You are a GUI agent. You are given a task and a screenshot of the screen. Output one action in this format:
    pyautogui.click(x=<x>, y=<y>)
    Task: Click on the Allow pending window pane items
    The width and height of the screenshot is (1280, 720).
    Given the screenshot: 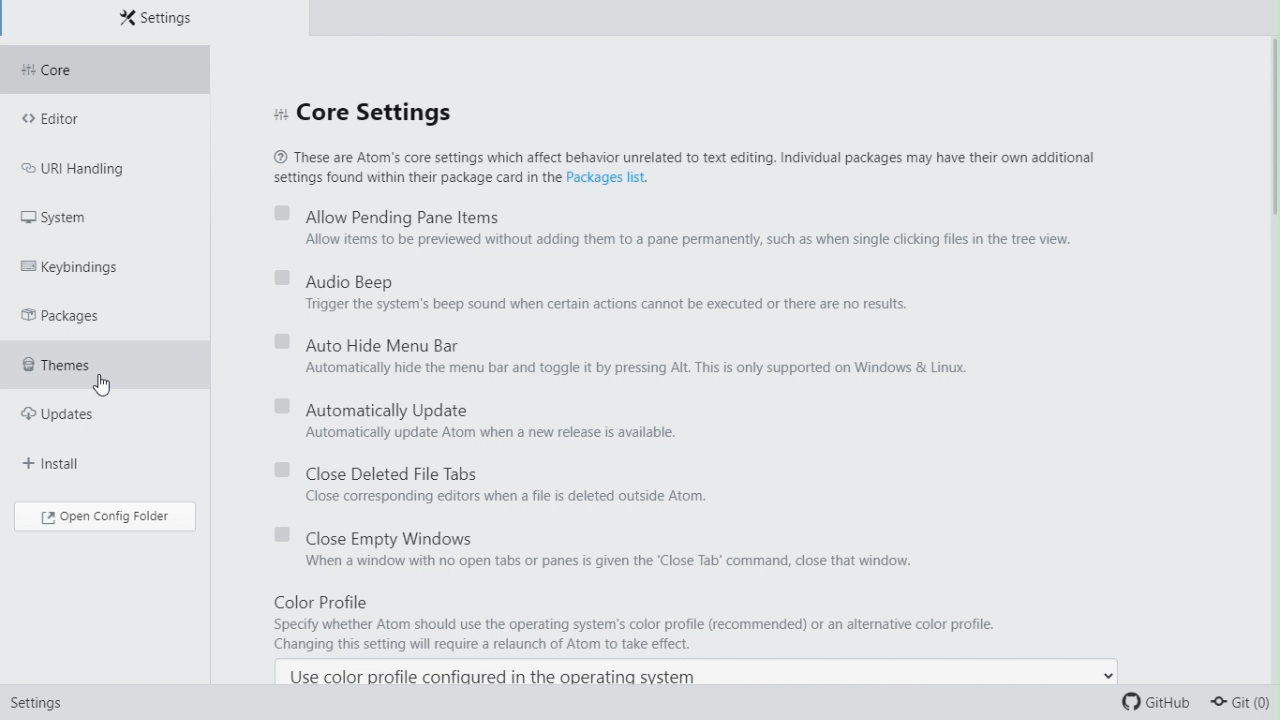 What is the action you would take?
    pyautogui.click(x=678, y=214)
    